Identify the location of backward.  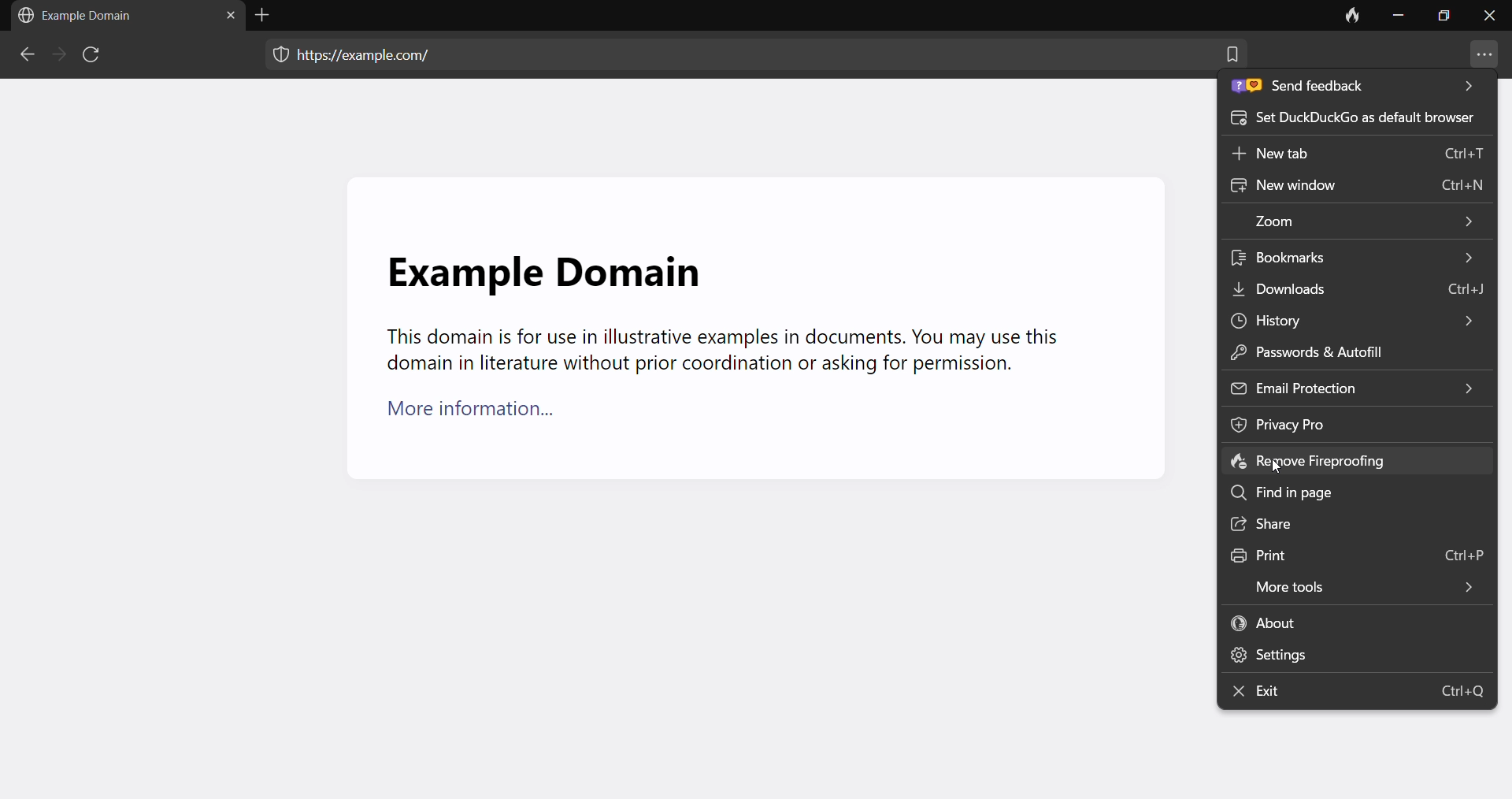
(25, 57).